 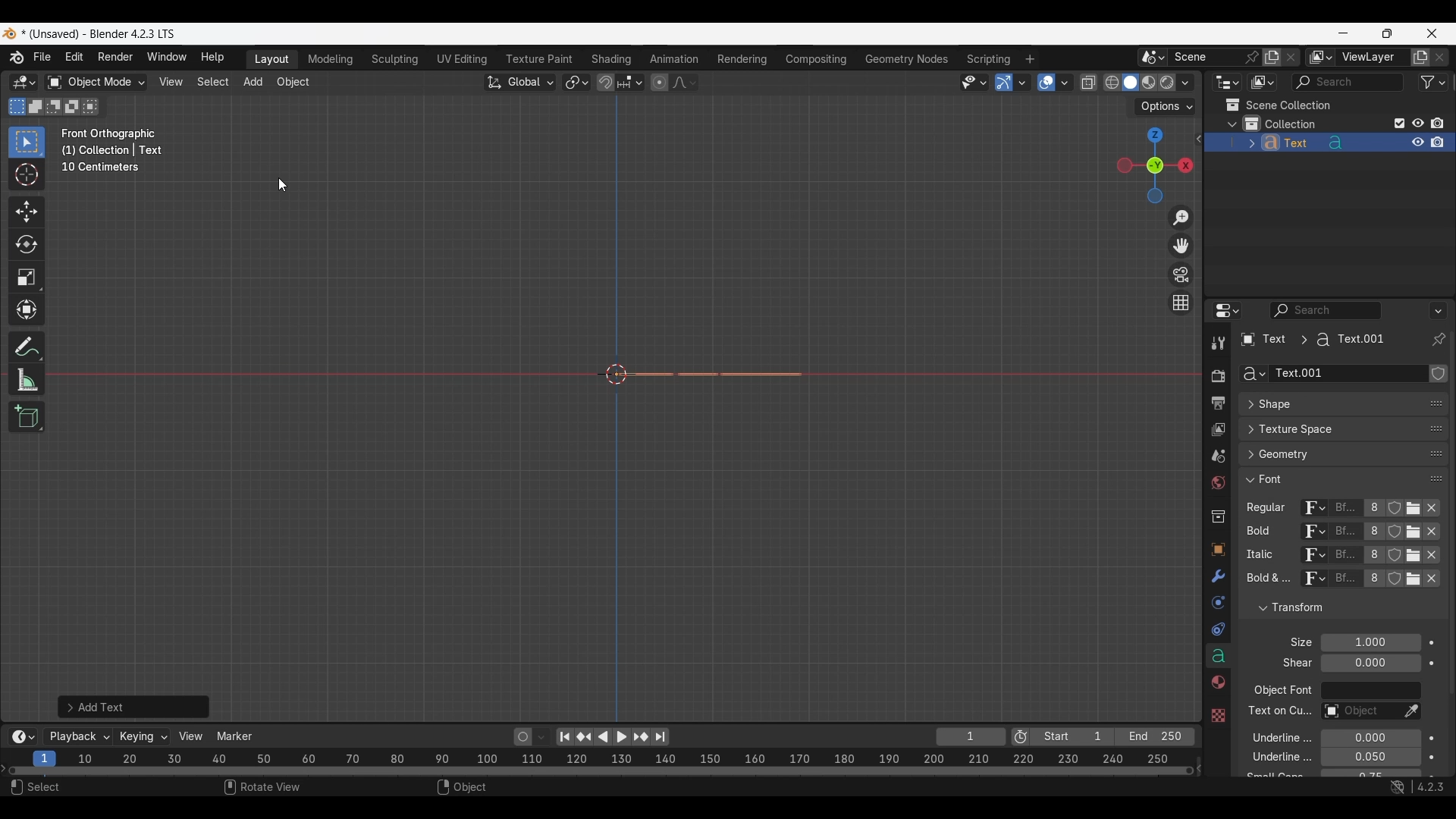 I want to click on Sculpting workspace, so click(x=397, y=59).